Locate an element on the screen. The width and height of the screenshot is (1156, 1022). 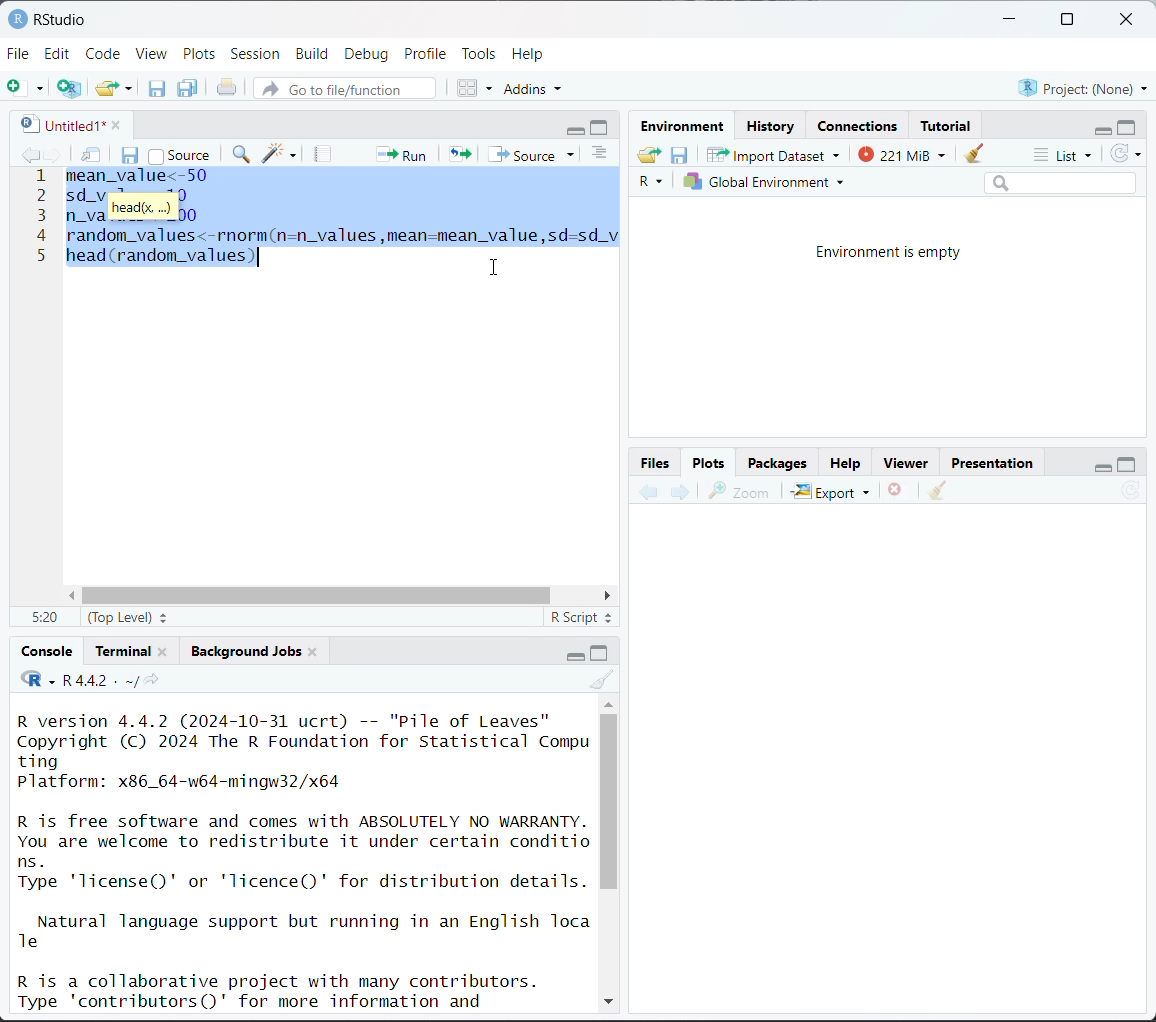
maximize is located at coordinates (601, 652).